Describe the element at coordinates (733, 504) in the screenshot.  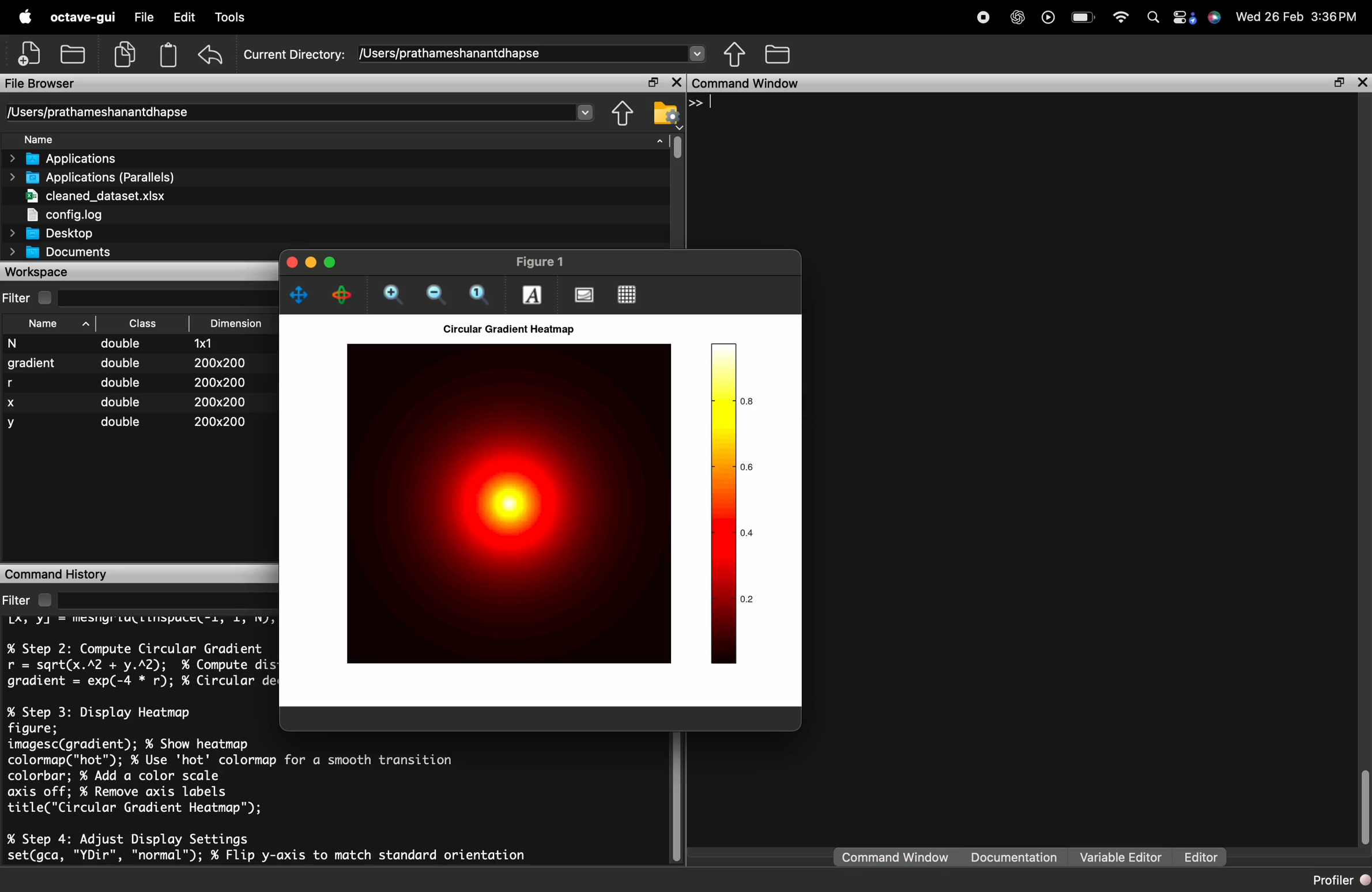
I see `Graph` at that location.